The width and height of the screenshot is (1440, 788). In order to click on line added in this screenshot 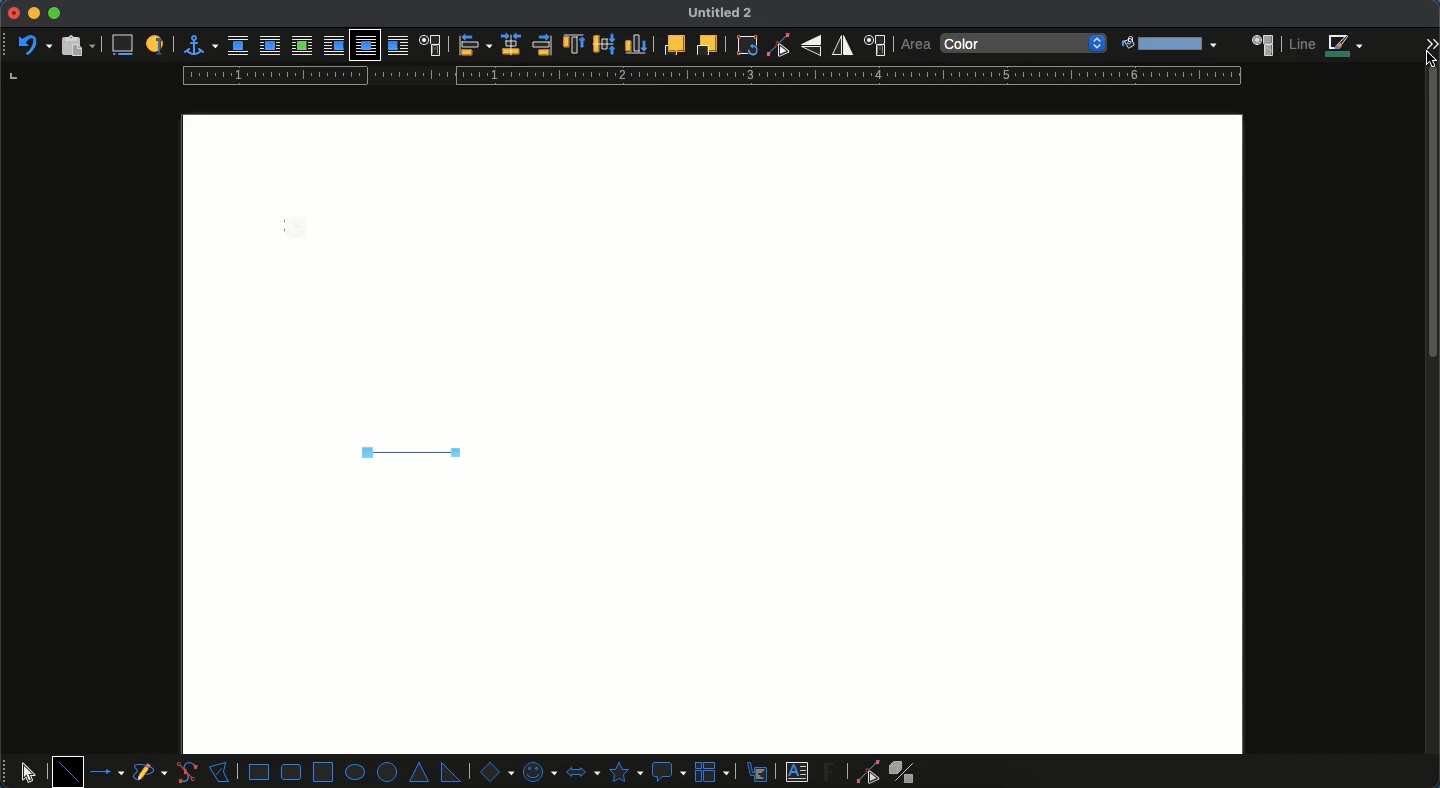, I will do `click(408, 452)`.